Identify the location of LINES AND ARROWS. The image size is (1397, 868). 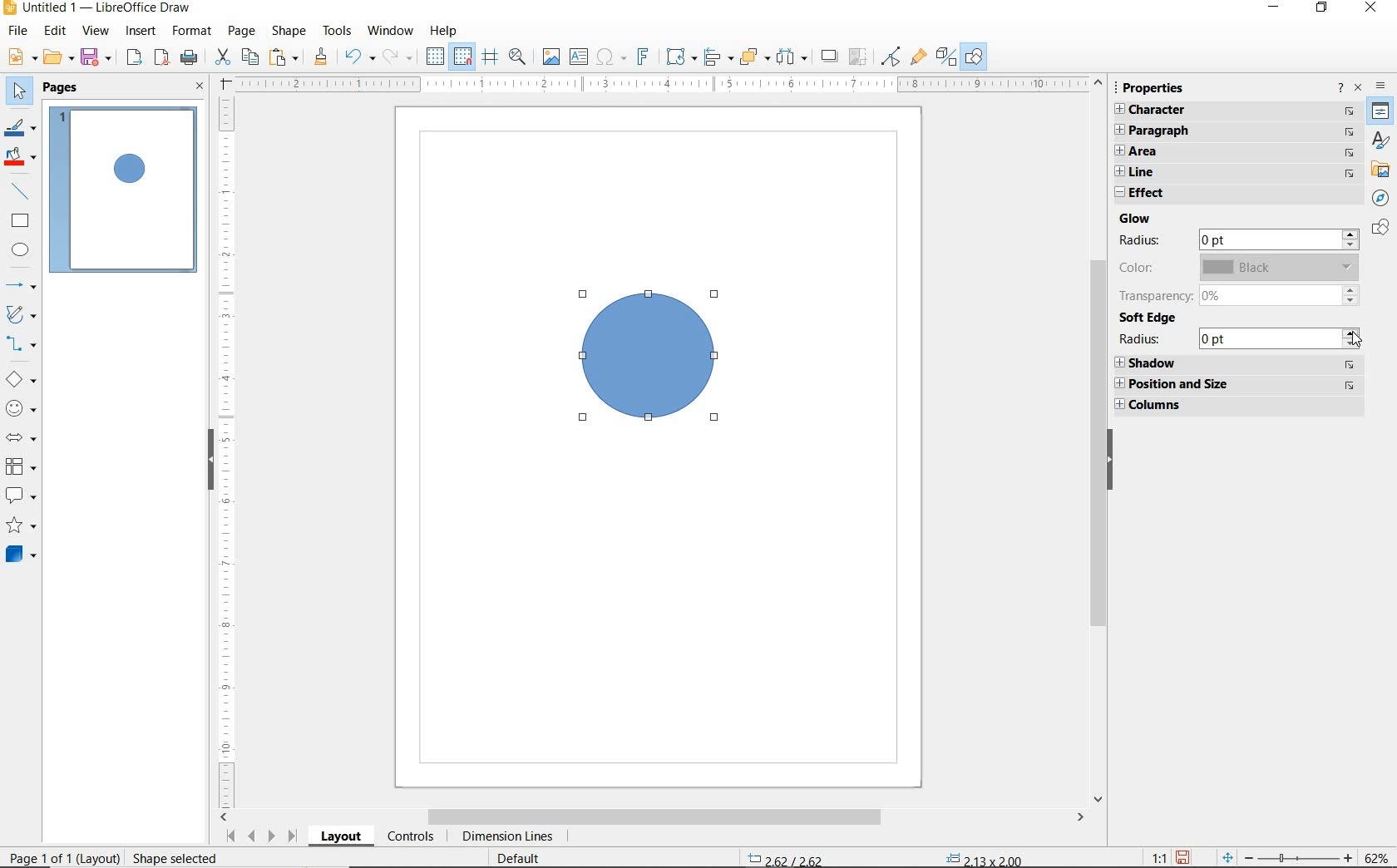
(23, 283).